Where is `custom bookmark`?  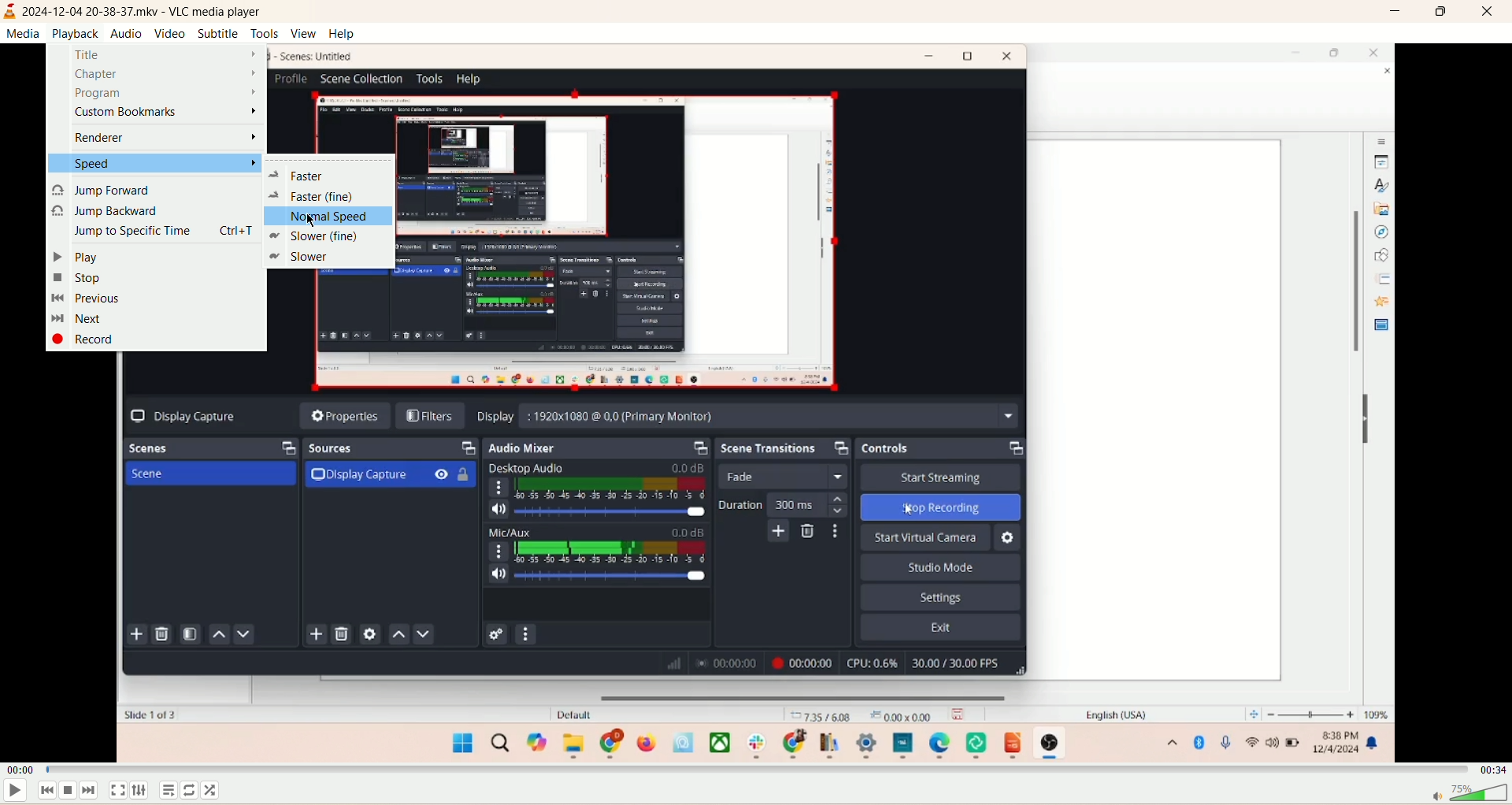
custom bookmark is located at coordinates (161, 110).